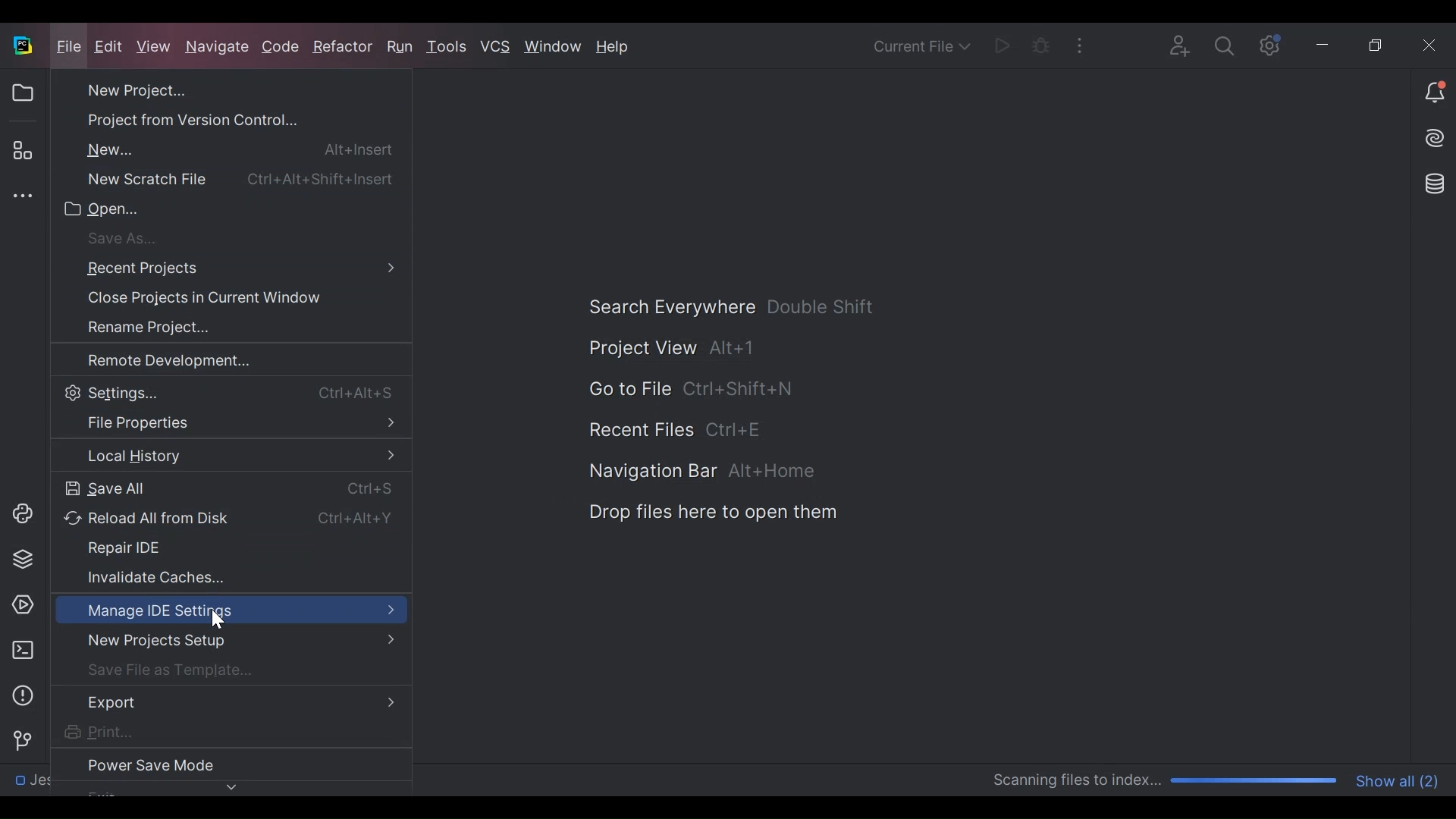 The image size is (1456, 819). Describe the element at coordinates (1321, 43) in the screenshot. I see `Minimize` at that location.